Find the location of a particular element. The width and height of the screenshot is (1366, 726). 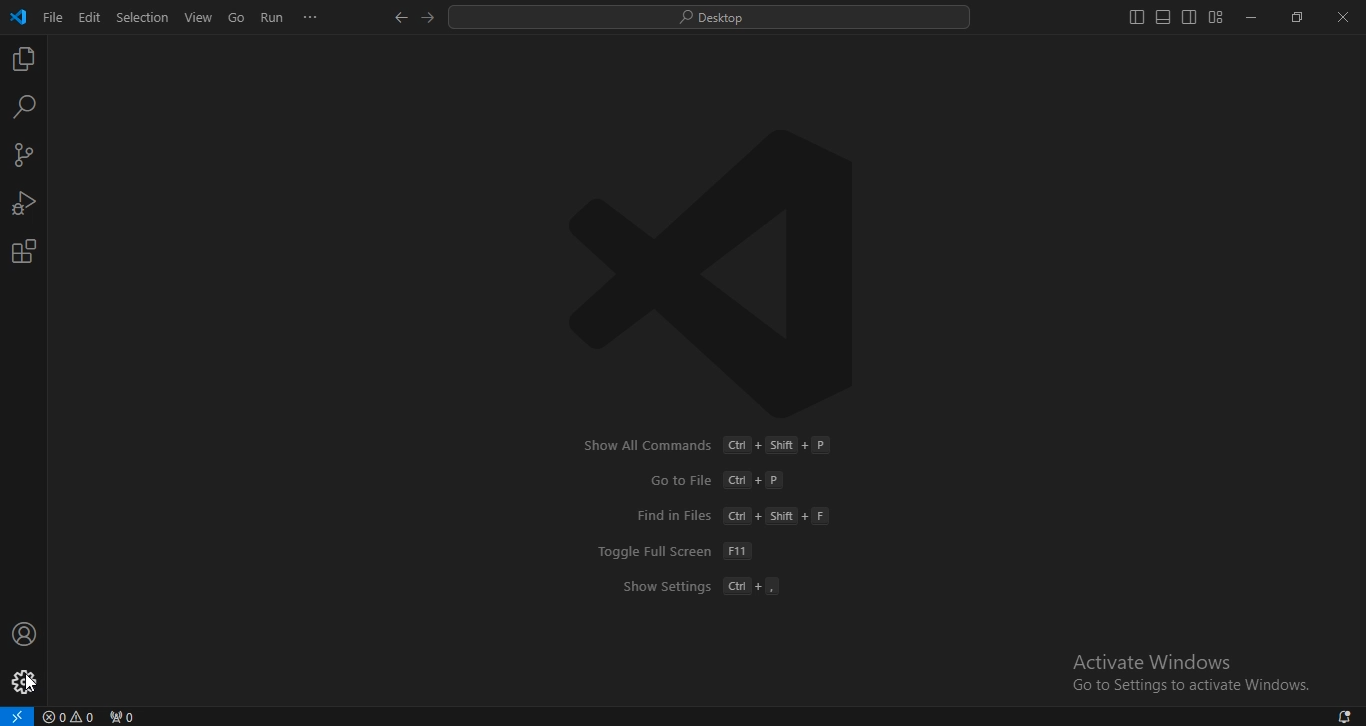

source control is located at coordinates (25, 155).